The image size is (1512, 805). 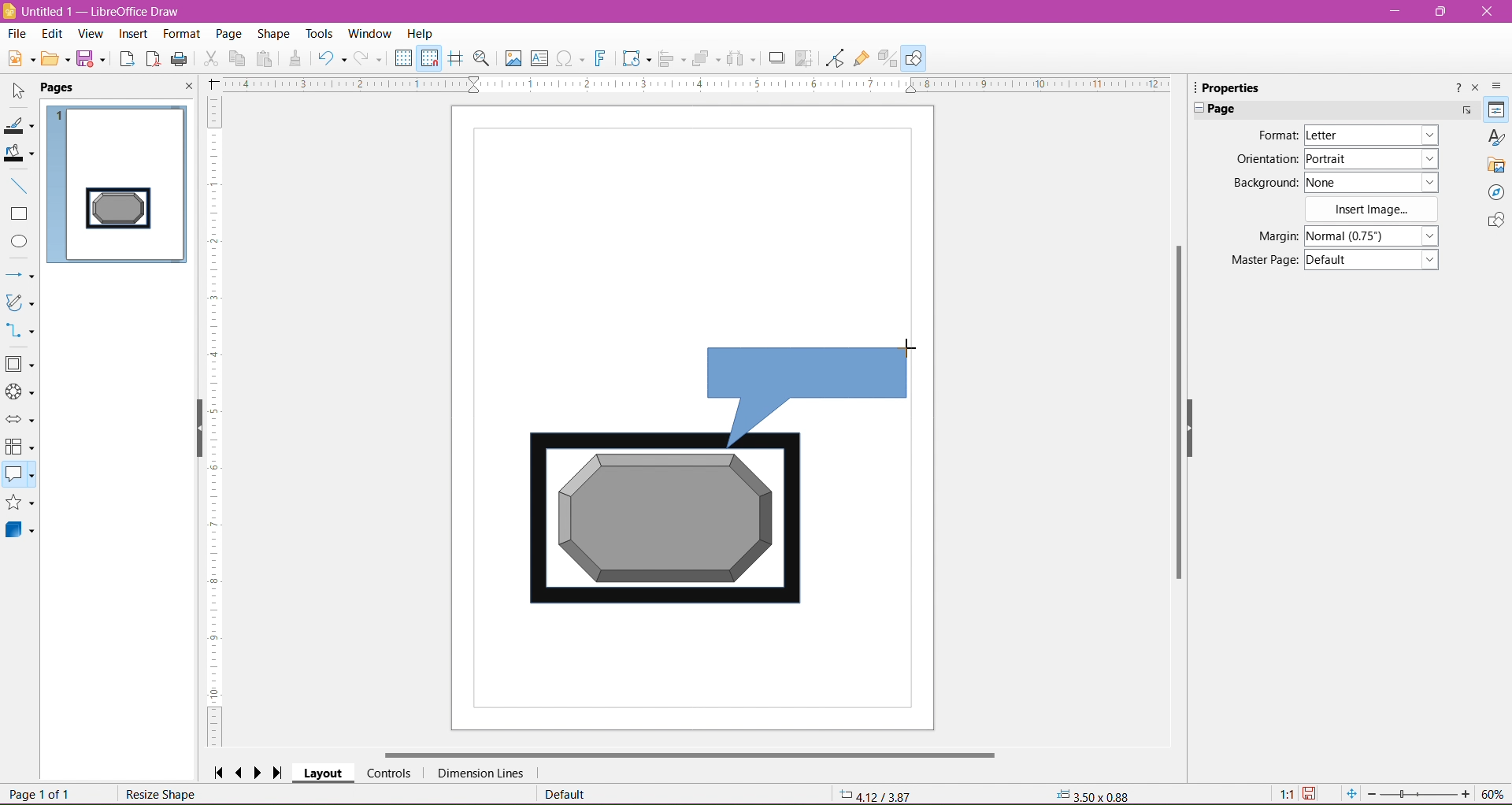 I want to click on Fill Color, so click(x=21, y=154).